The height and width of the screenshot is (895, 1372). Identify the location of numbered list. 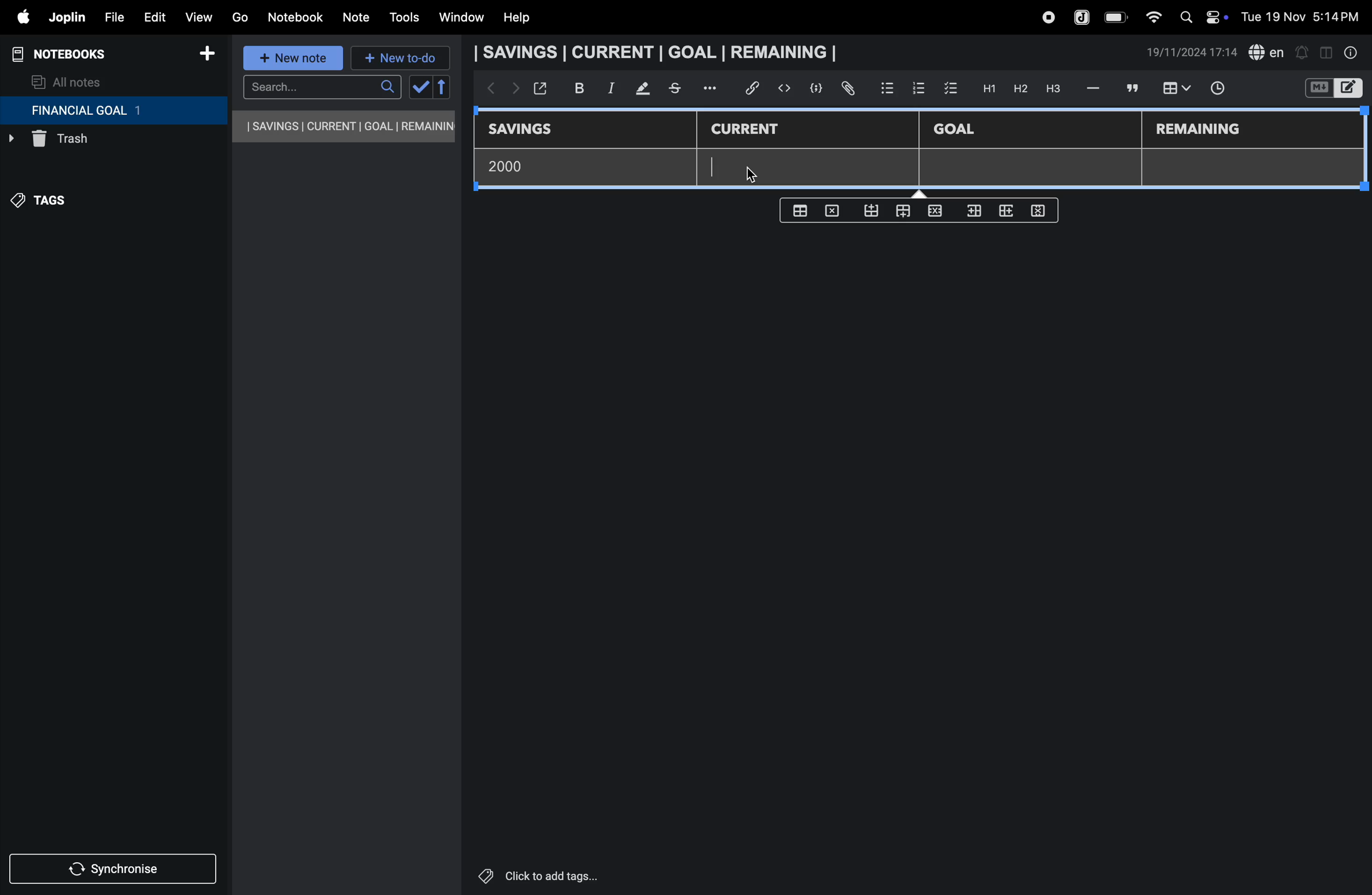
(918, 88).